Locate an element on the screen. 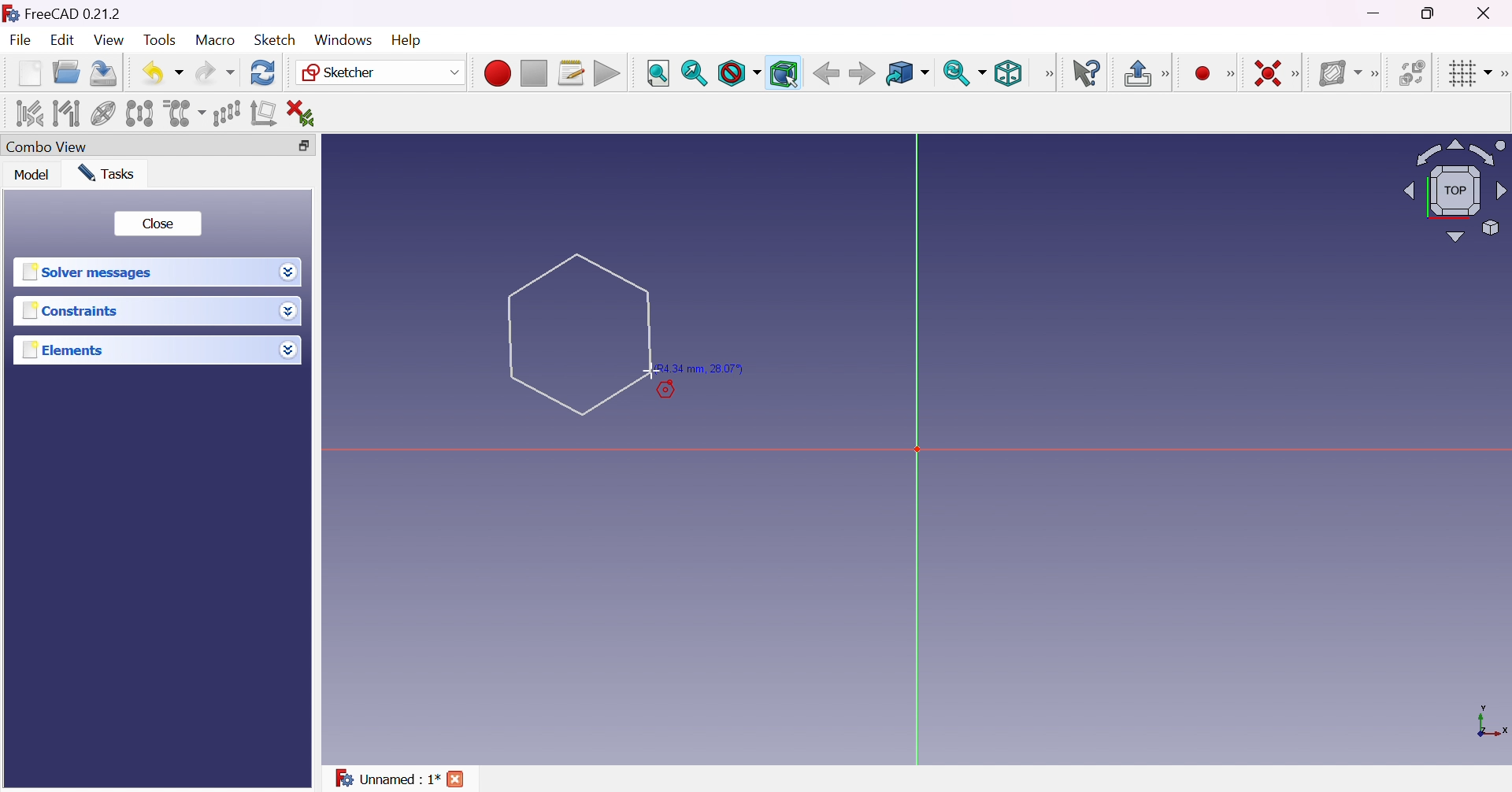 Image resolution: width=1512 pixels, height=792 pixels. Open is located at coordinates (66, 72).